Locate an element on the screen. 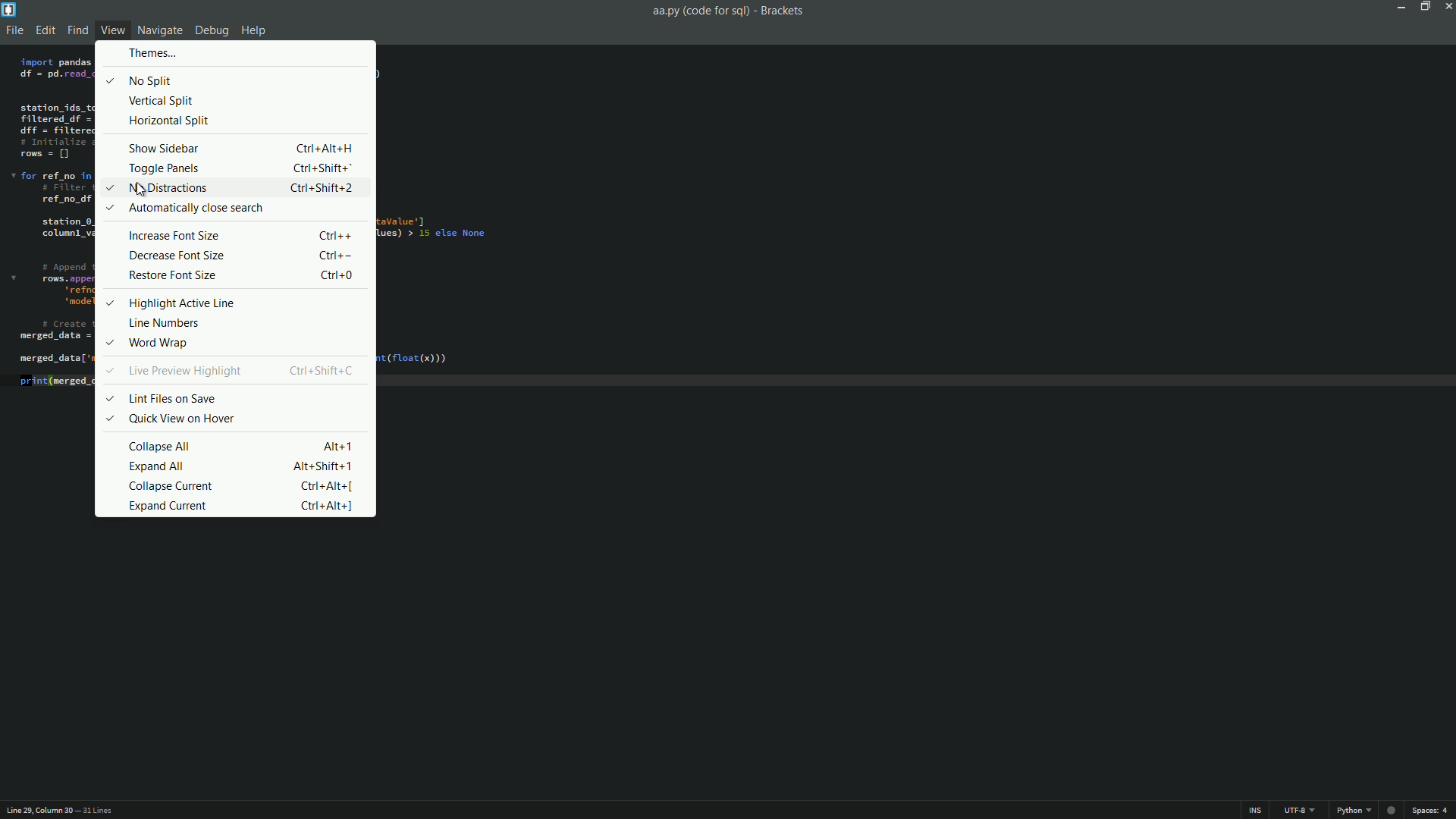 Image resolution: width=1456 pixels, height=819 pixels. themes is located at coordinates (153, 54).